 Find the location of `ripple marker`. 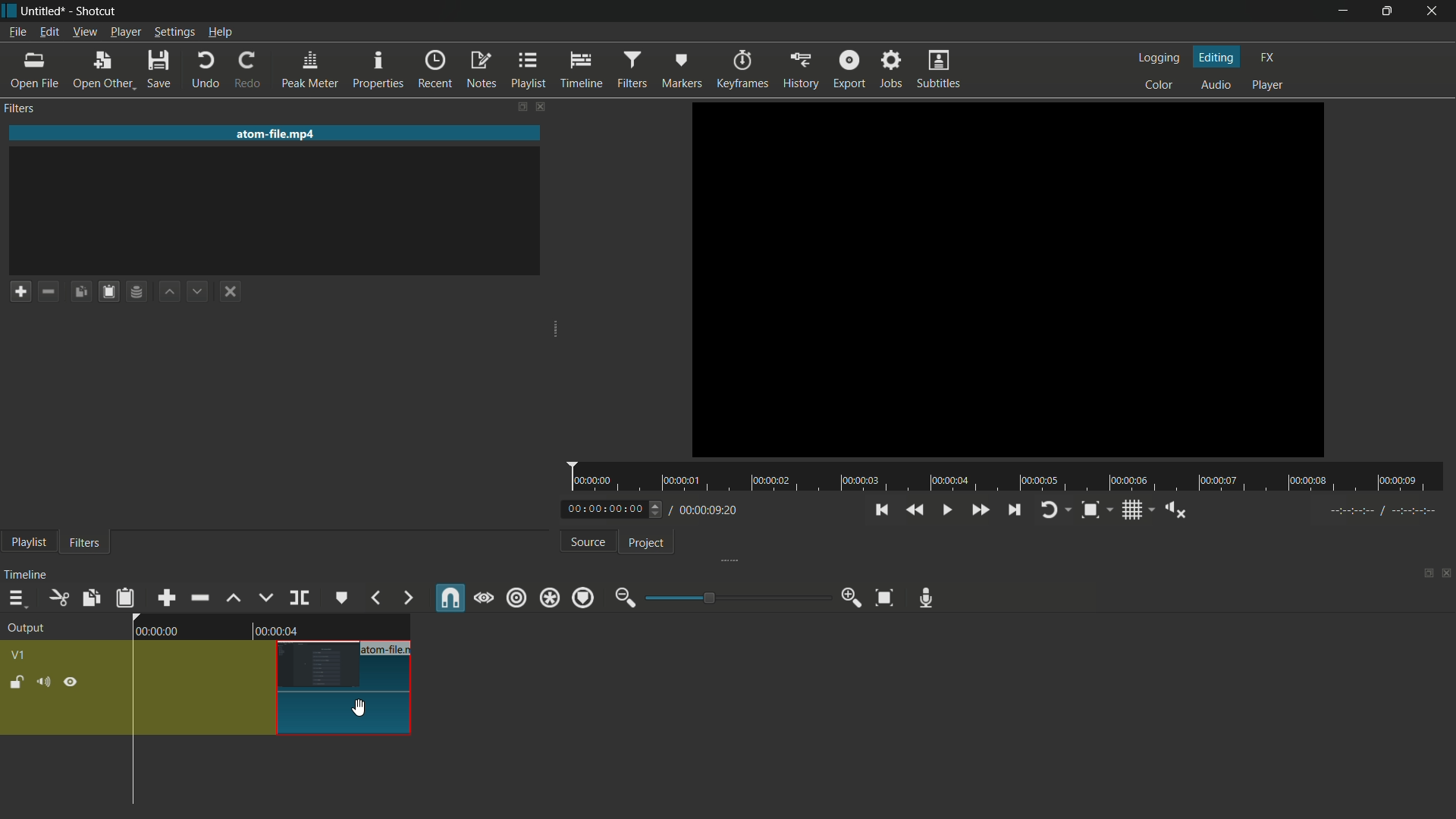

ripple marker is located at coordinates (583, 598).